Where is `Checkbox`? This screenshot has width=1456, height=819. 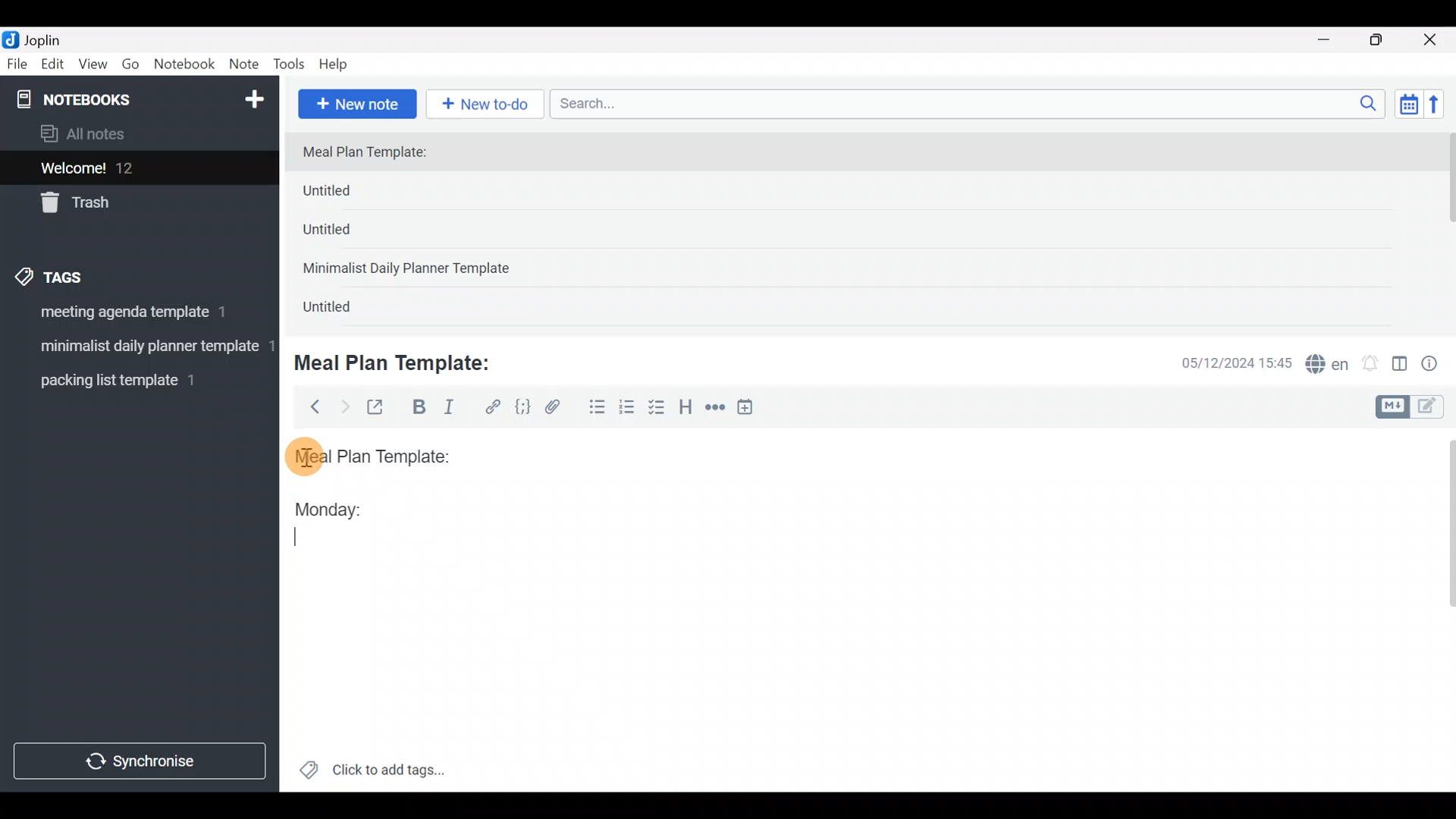 Checkbox is located at coordinates (658, 409).